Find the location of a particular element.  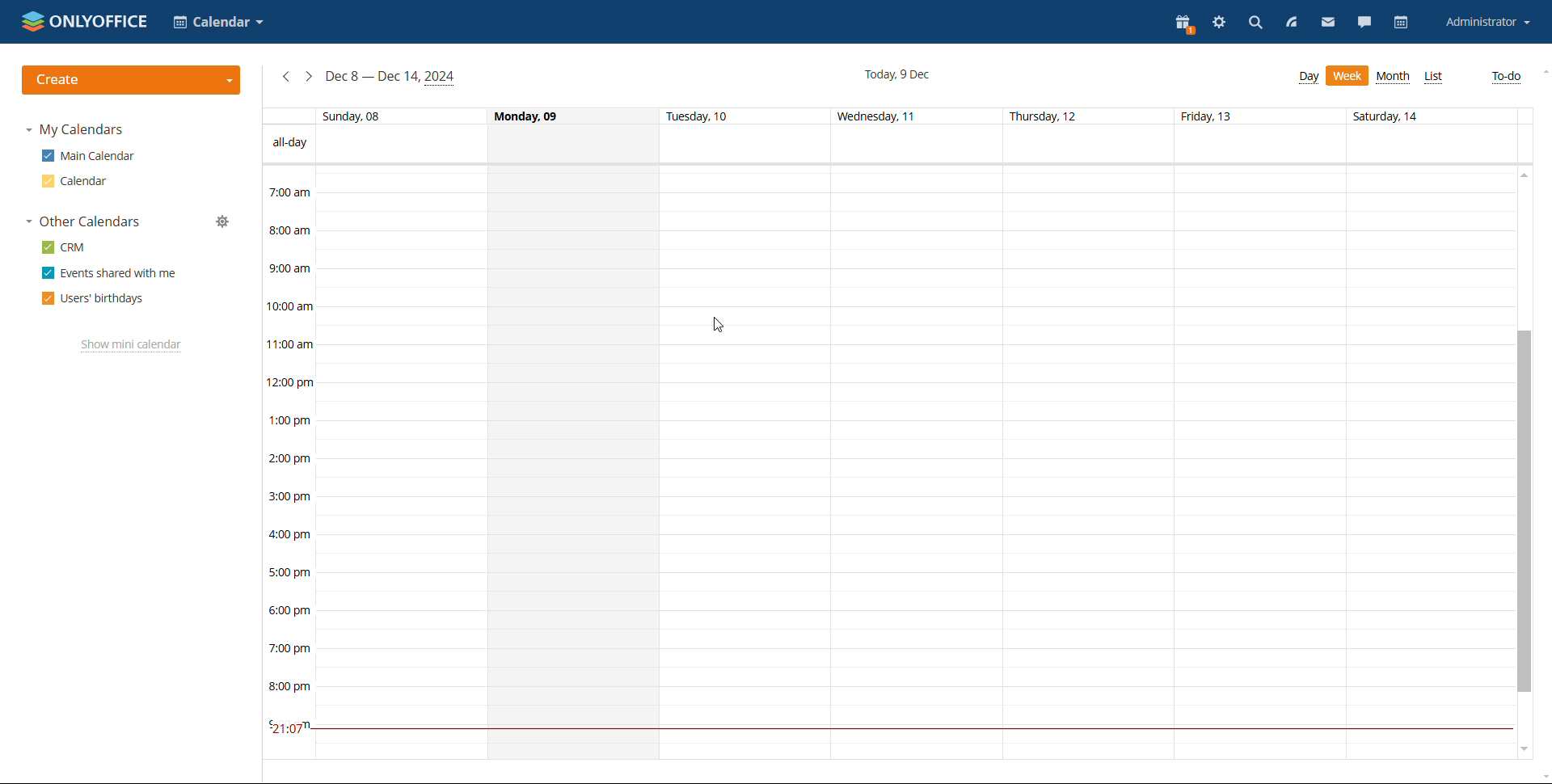

week view is located at coordinates (1347, 75).